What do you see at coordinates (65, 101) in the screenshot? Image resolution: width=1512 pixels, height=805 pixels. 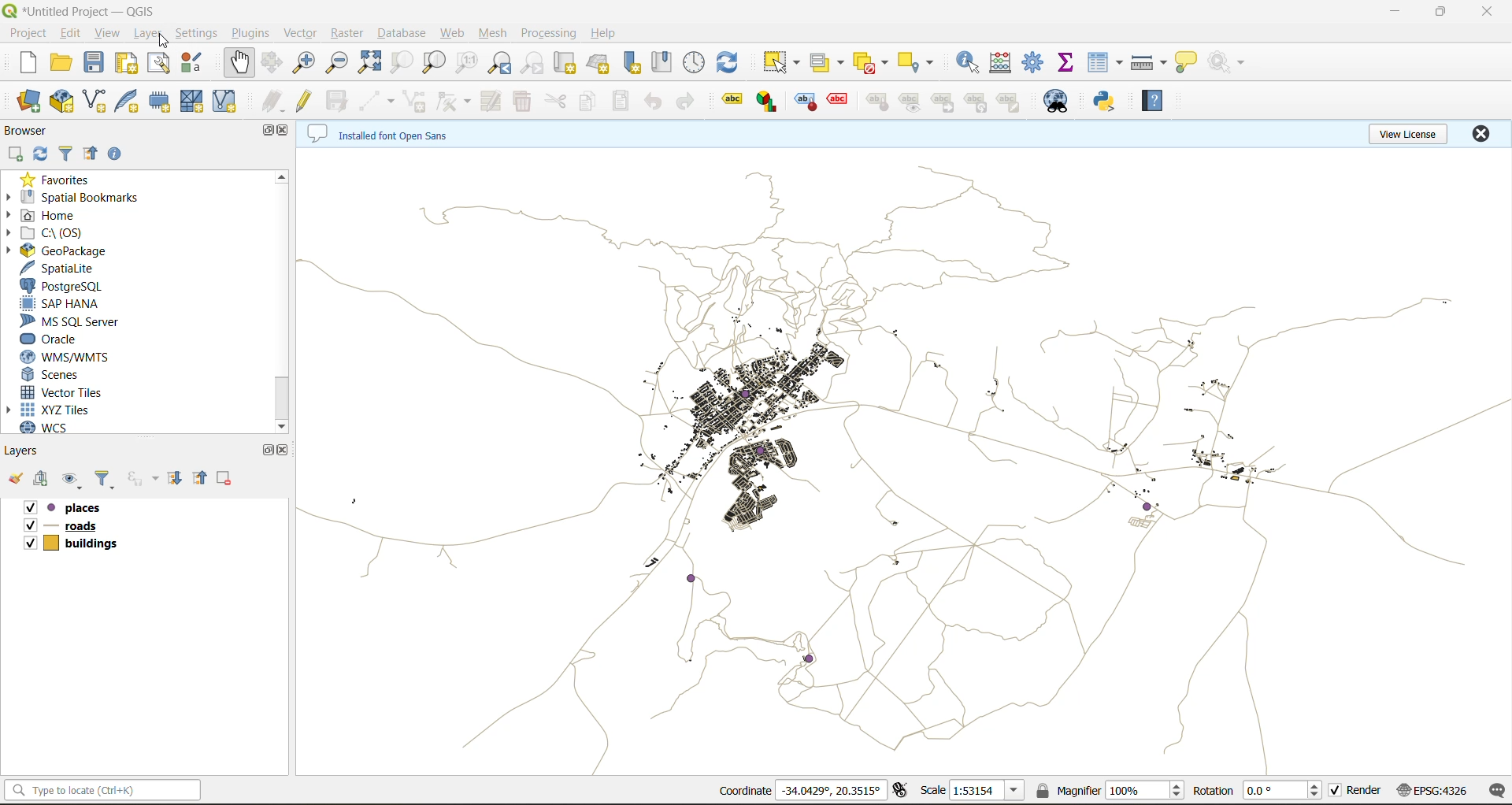 I see `new geopackage` at bounding box center [65, 101].